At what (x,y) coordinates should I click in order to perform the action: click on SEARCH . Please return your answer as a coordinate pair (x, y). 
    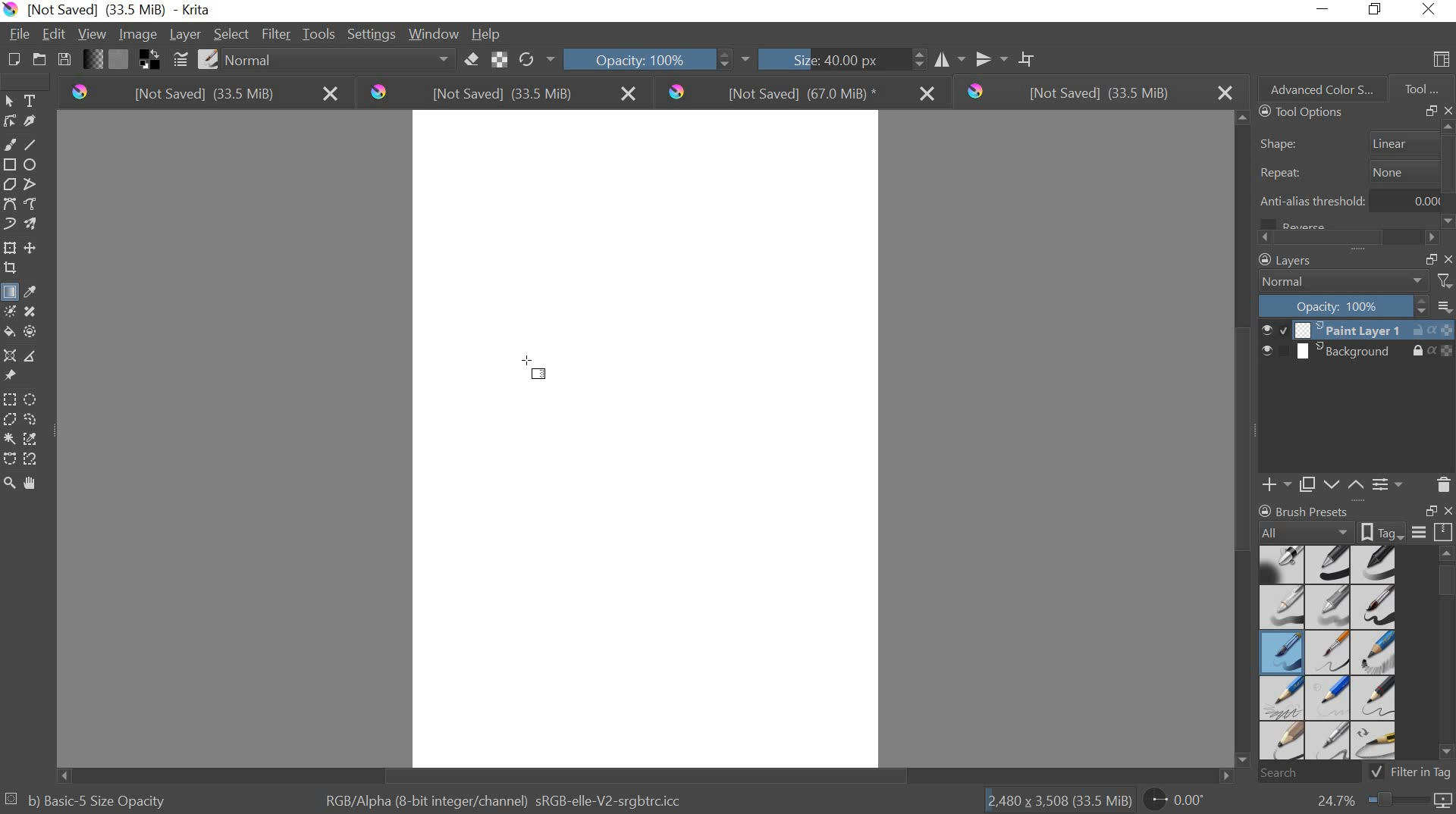
    Looking at the image, I should click on (1315, 773).